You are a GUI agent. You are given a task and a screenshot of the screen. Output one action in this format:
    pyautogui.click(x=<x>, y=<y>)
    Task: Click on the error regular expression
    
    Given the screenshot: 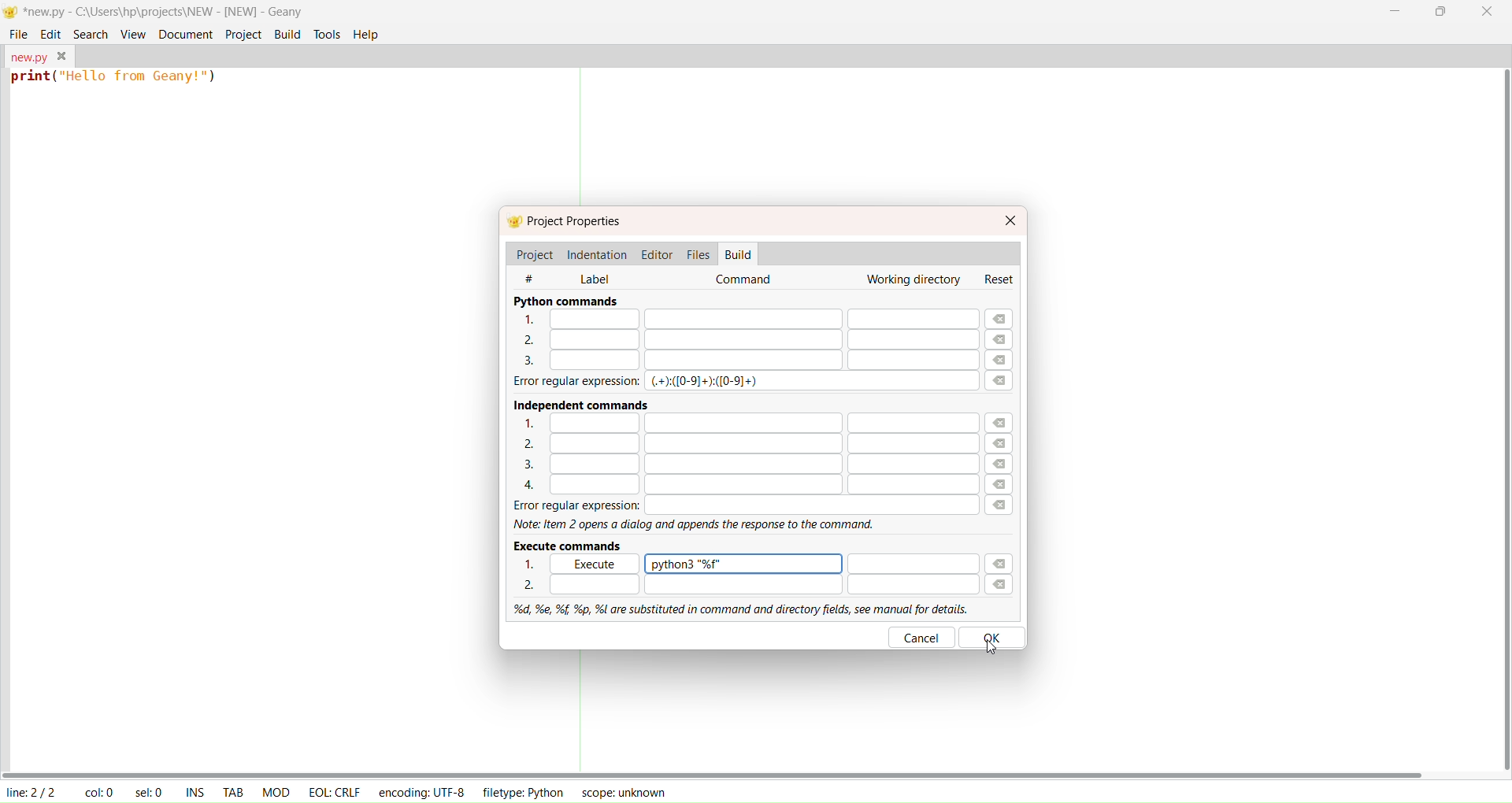 What is the action you would take?
    pyautogui.click(x=737, y=505)
    